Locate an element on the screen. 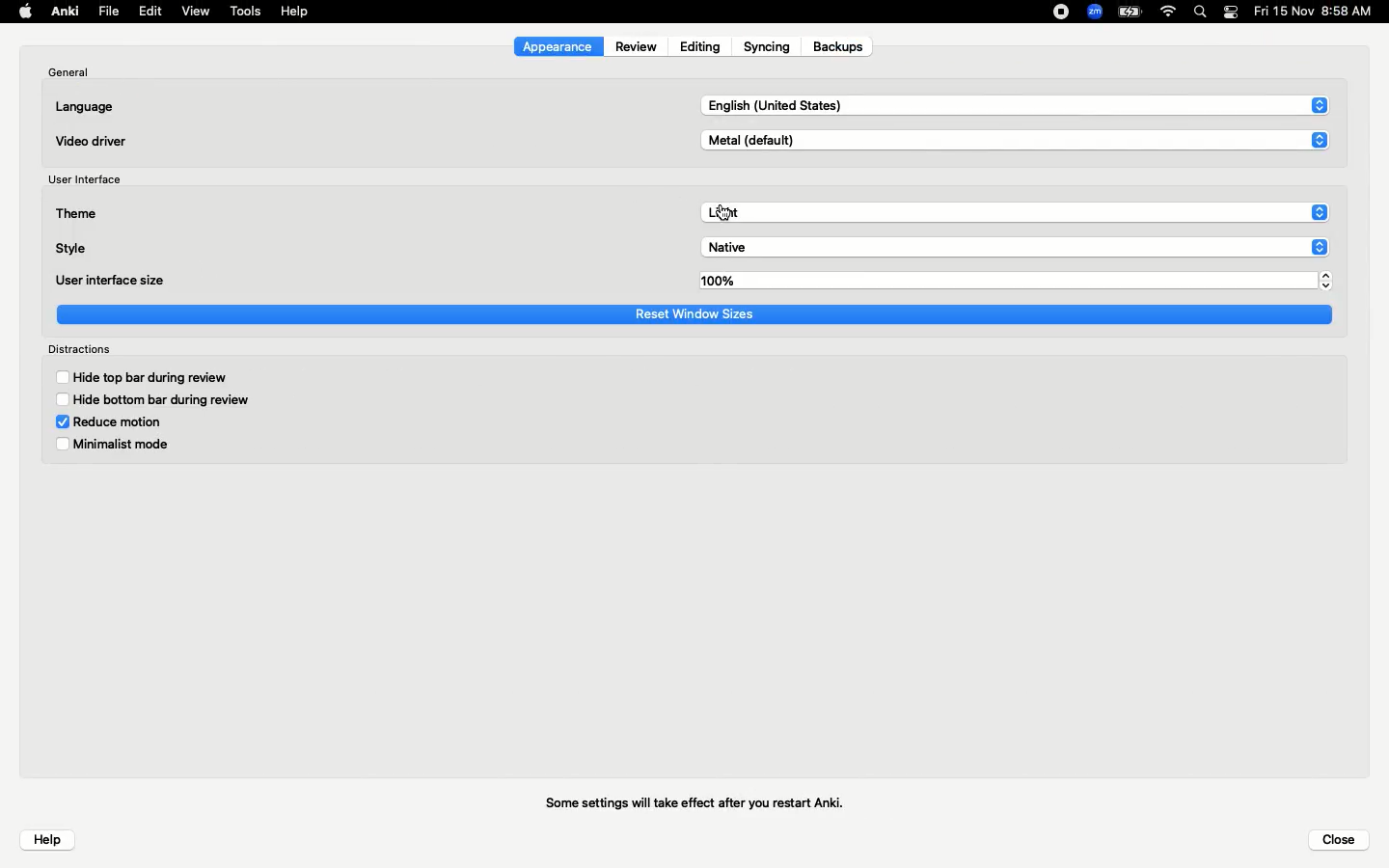 This screenshot has width=1389, height=868. Distractions is located at coordinates (82, 348).